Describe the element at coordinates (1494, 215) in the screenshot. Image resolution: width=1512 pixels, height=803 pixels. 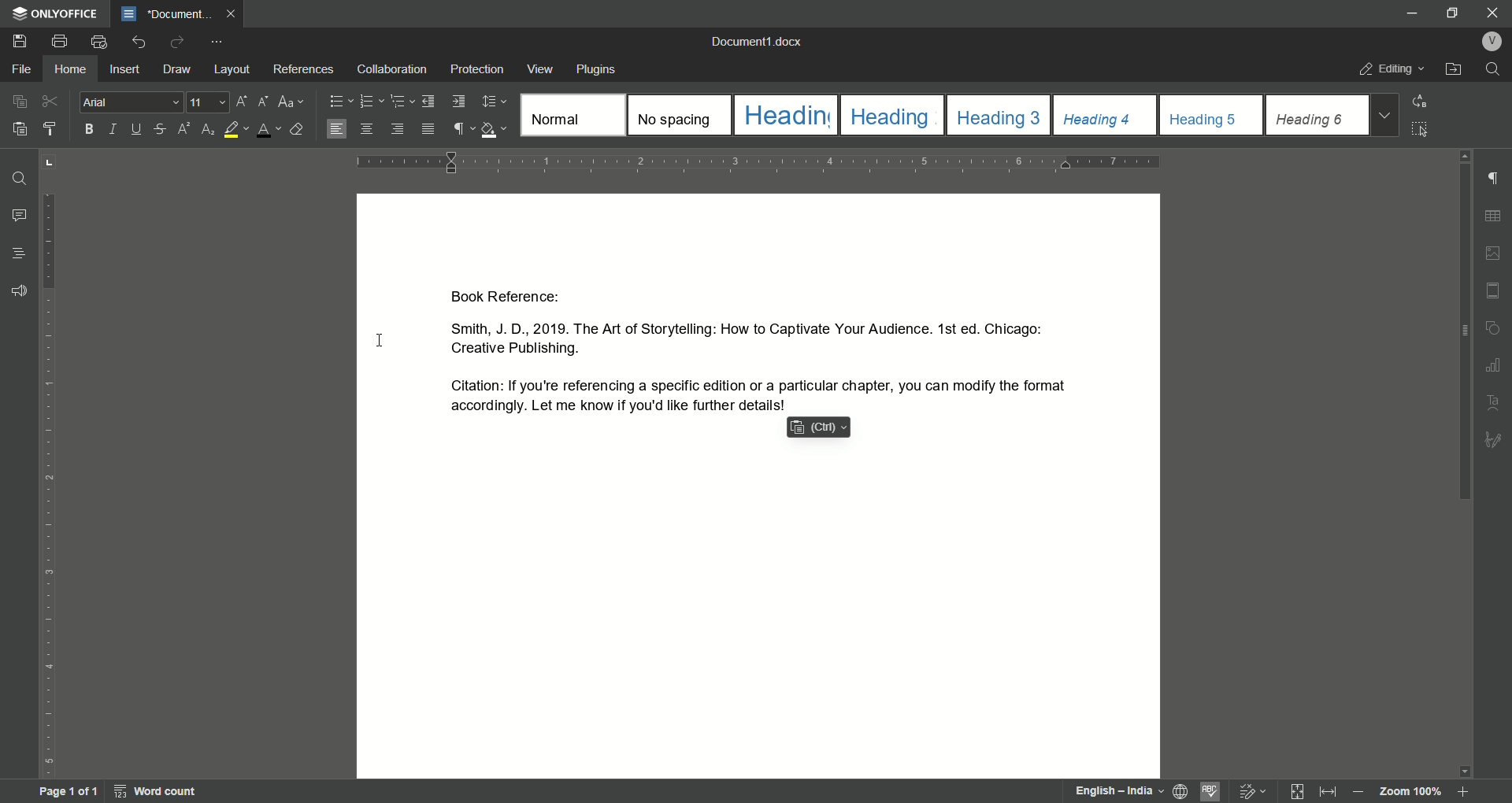
I see `table` at that location.